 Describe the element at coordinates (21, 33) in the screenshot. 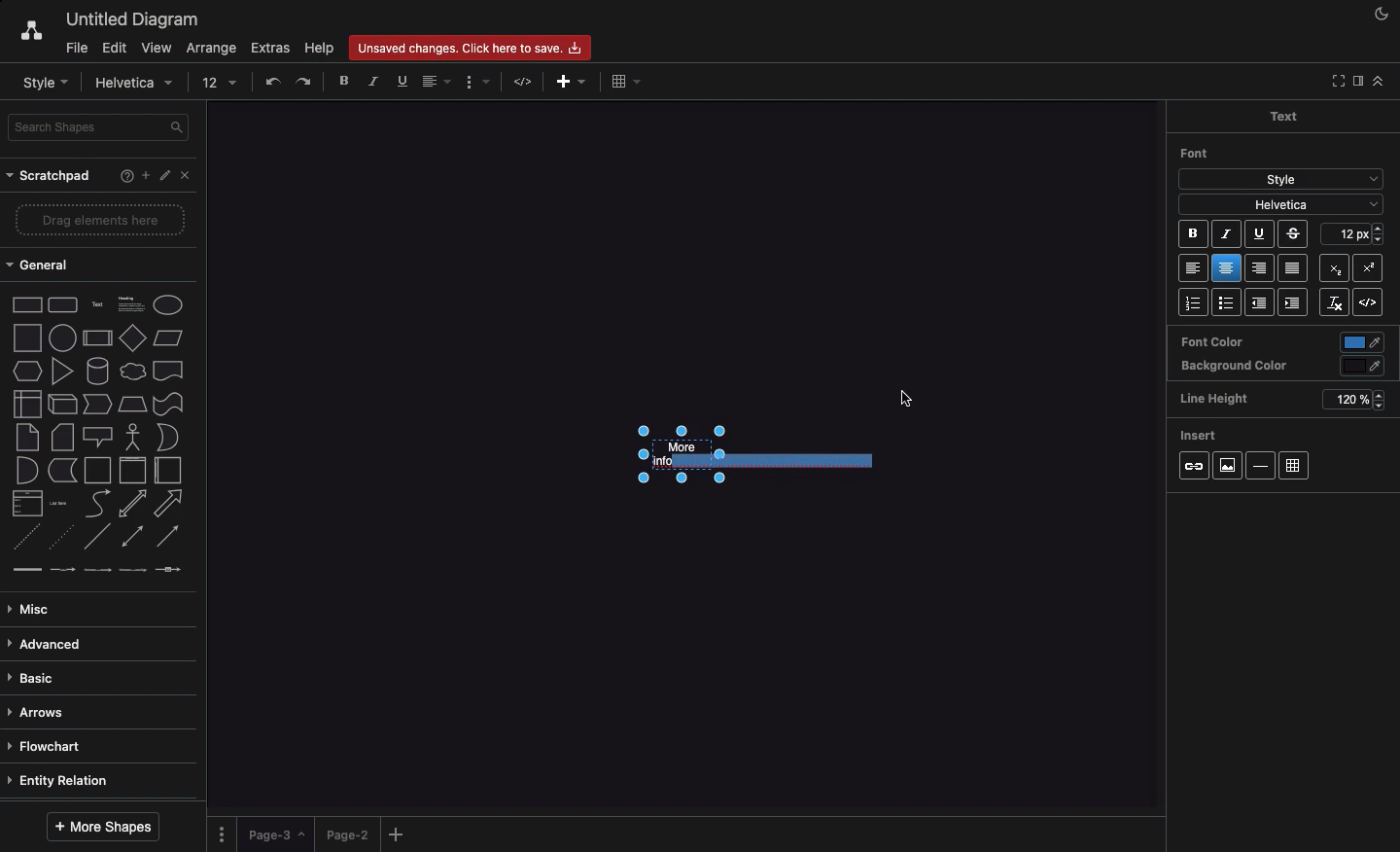

I see `Draw.io` at that location.